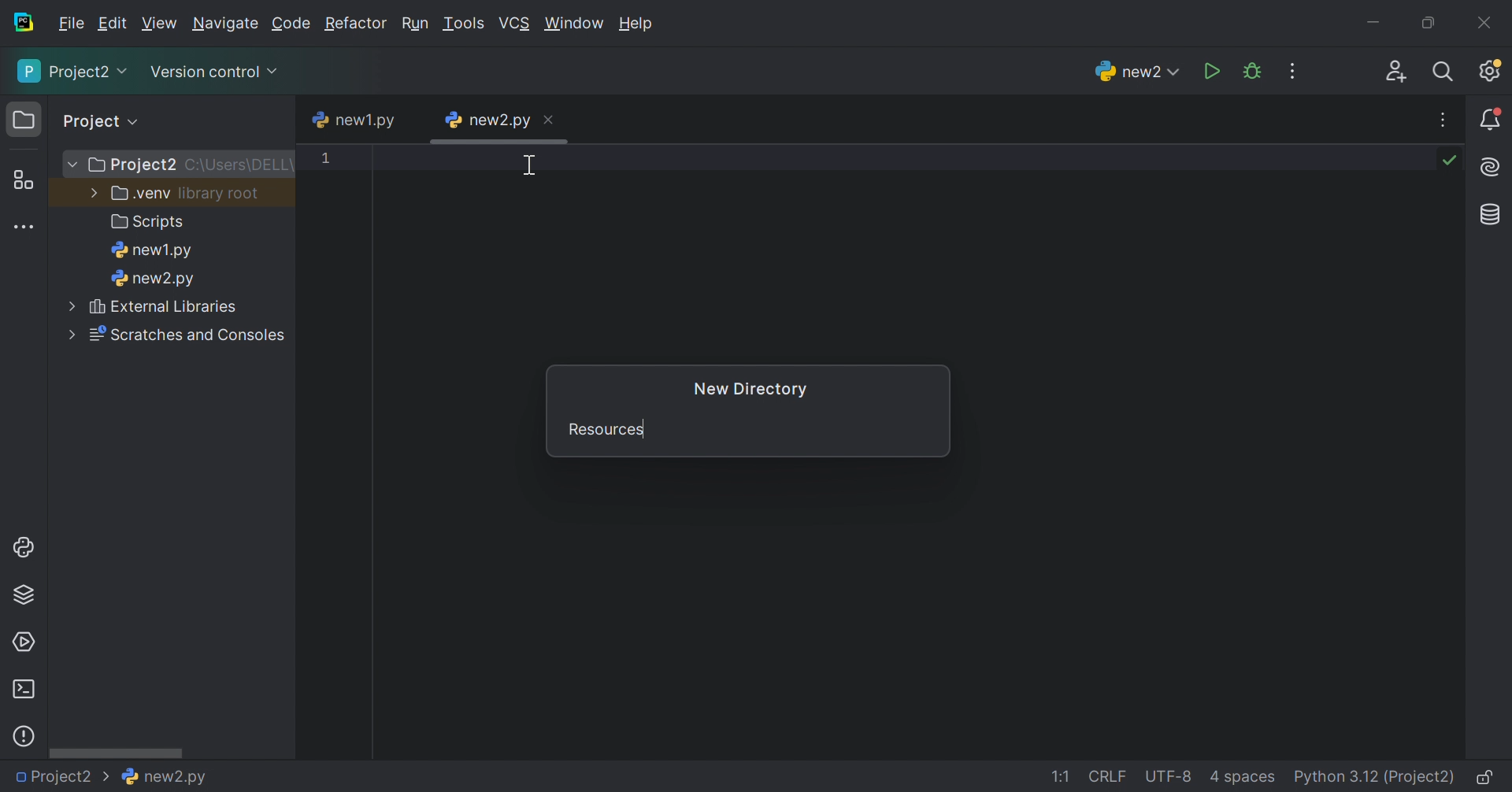 The width and height of the screenshot is (1512, 792). I want to click on Code, so click(291, 24).